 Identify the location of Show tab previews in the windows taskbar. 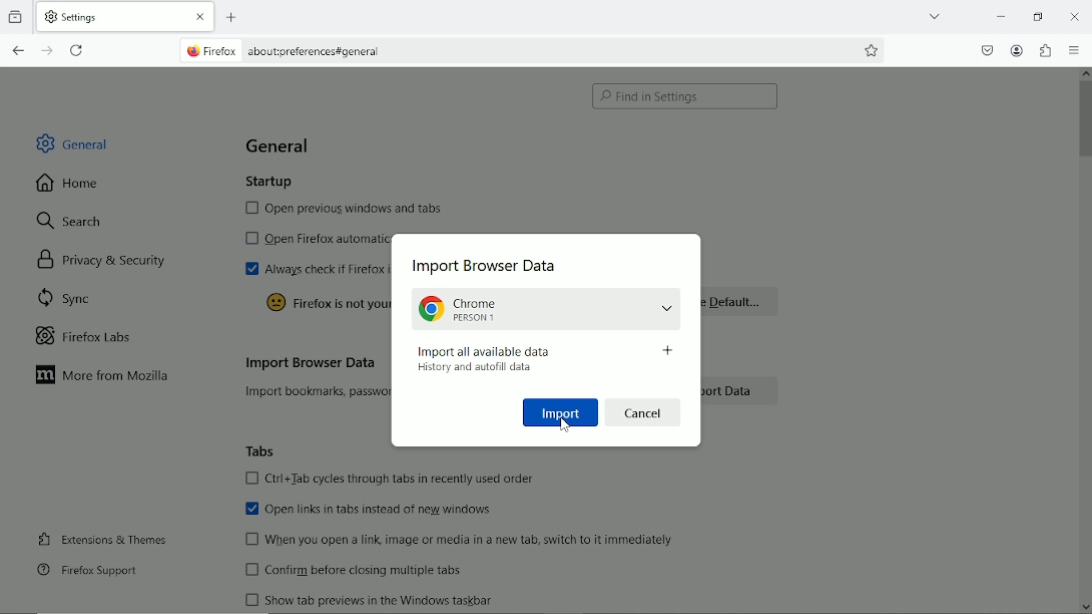
(370, 599).